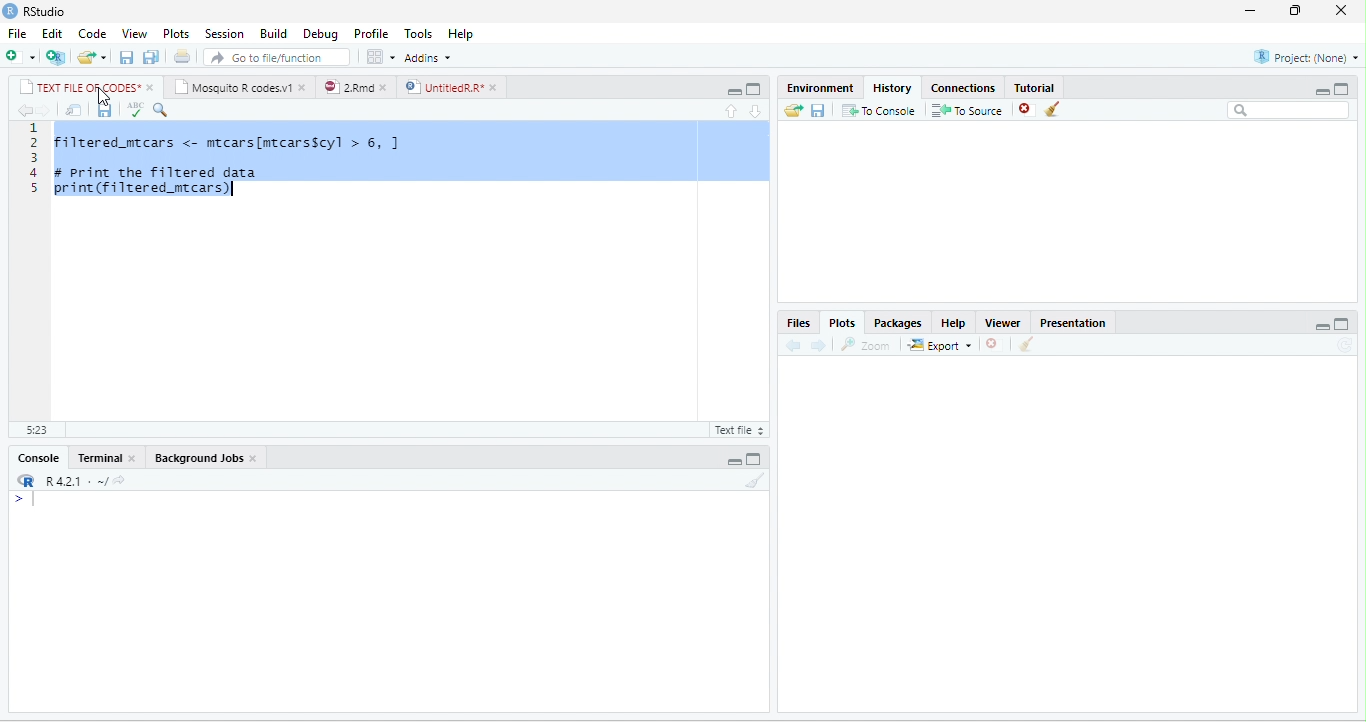 The height and width of the screenshot is (722, 1366). I want to click on save, so click(817, 111).